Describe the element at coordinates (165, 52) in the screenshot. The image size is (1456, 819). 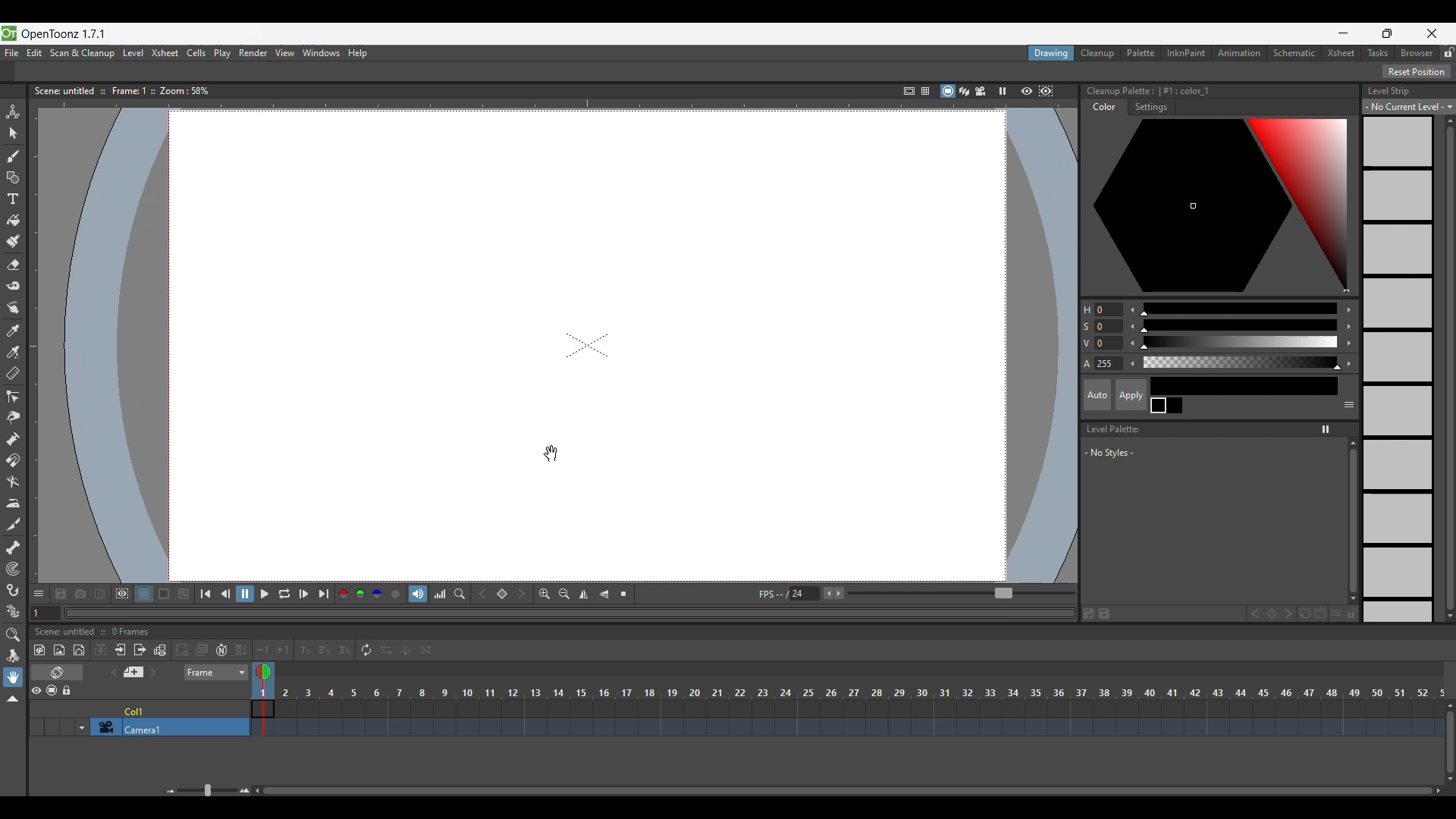
I see `Xsheet` at that location.